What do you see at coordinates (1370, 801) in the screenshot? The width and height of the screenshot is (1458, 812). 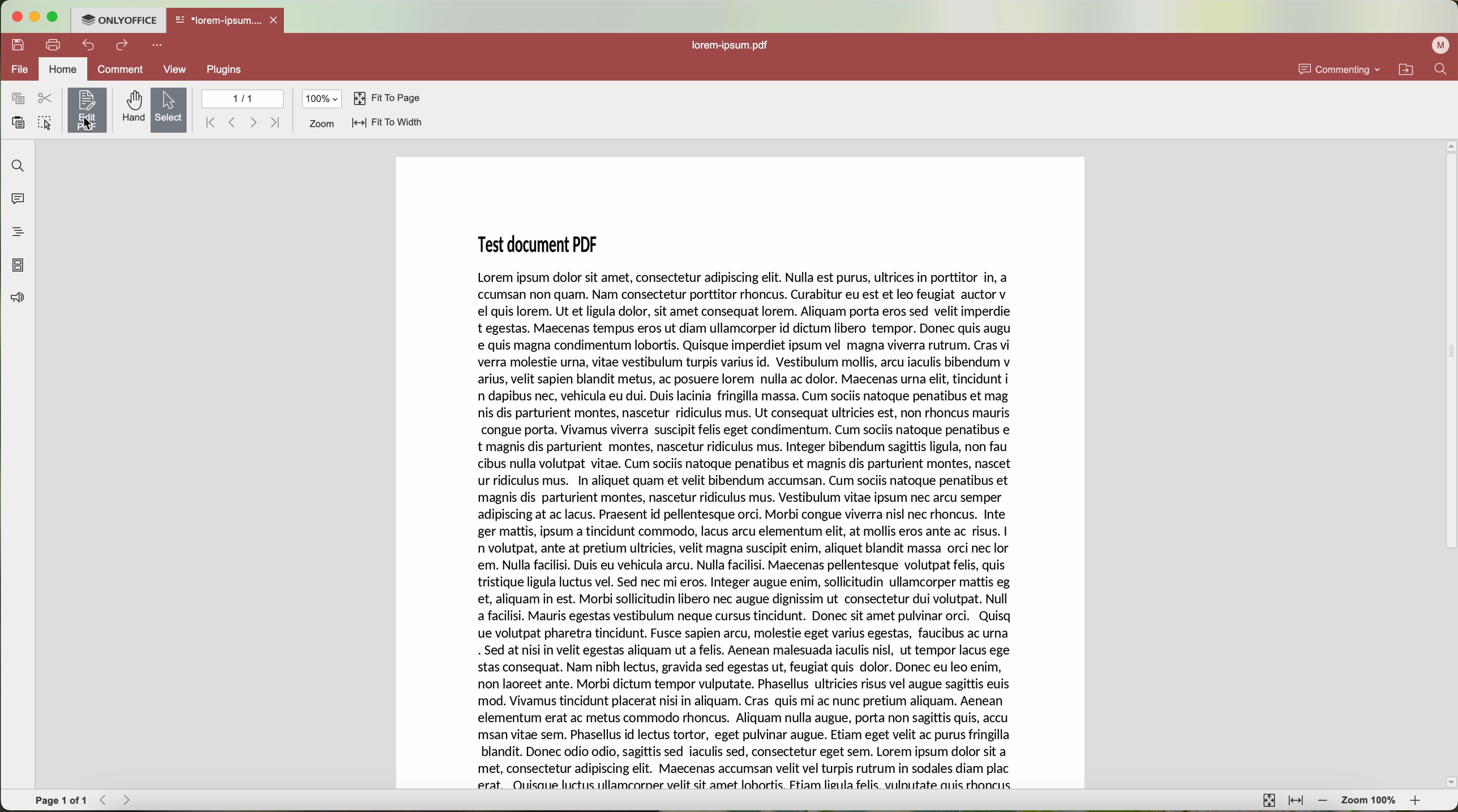 I see `zoom 100%` at bounding box center [1370, 801].